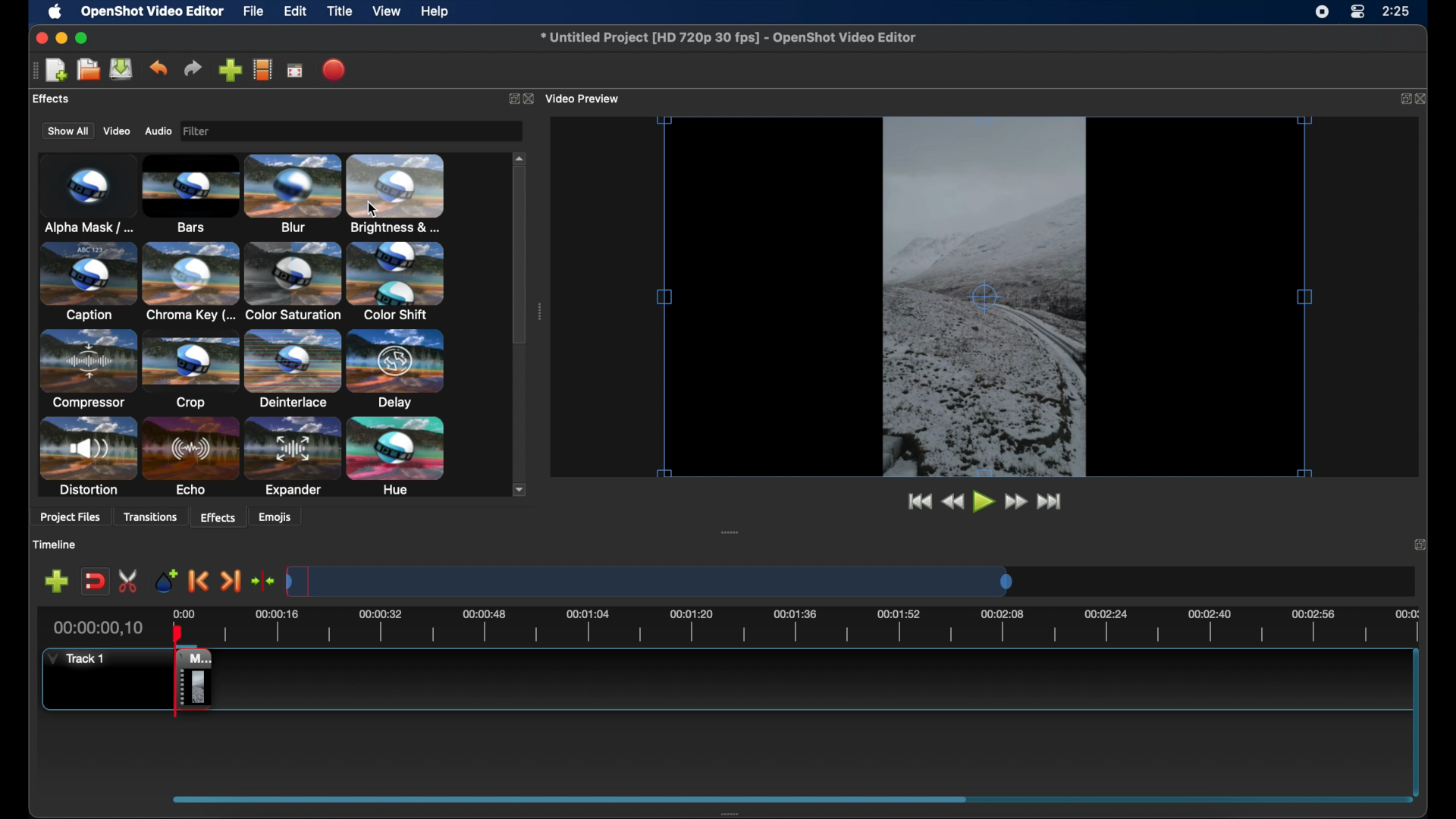 The width and height of the screenshot is (1456, 819). I want to click on color shift, so click(396, 281).